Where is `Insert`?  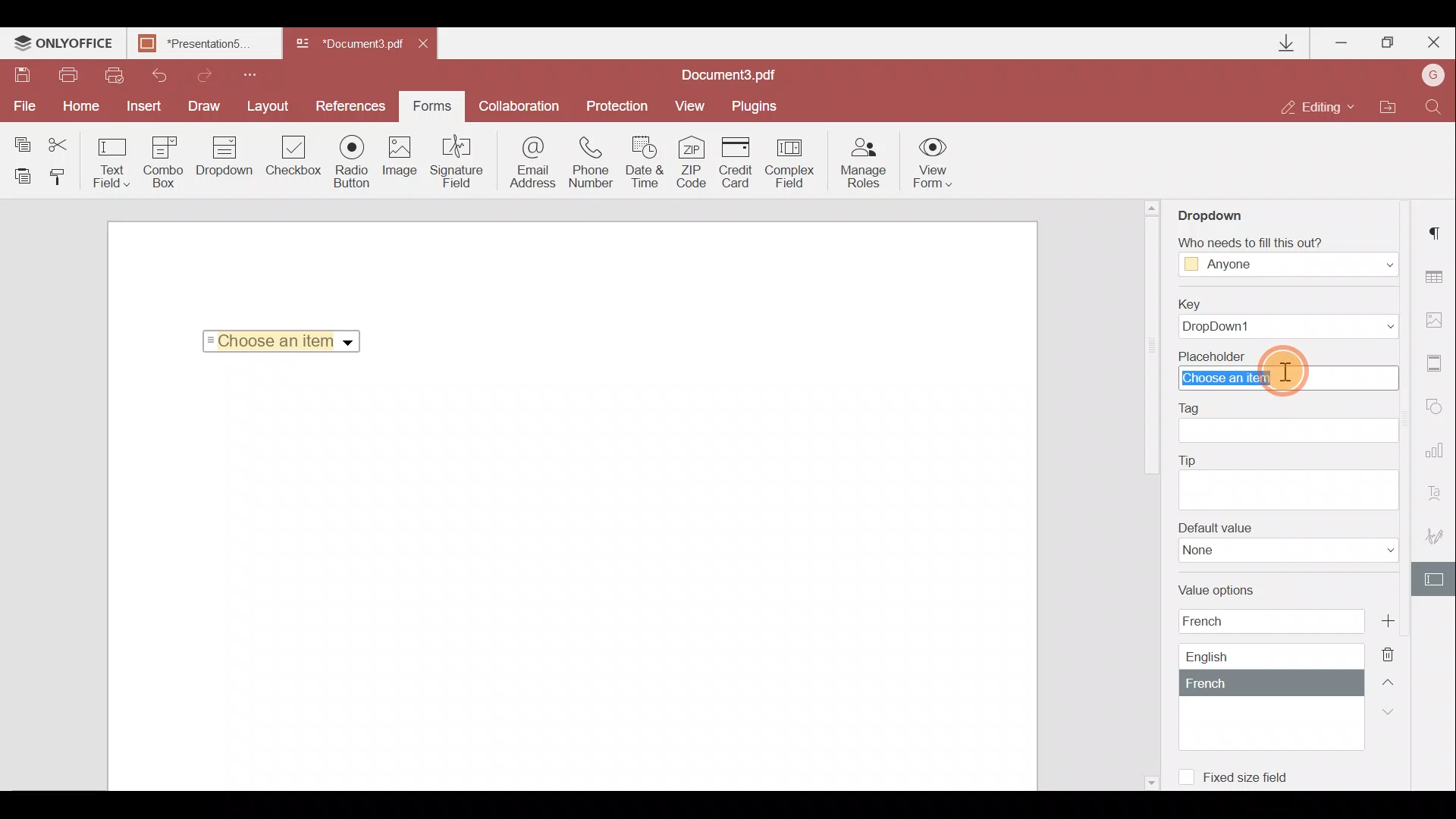
Insert is located at coordinates (140, 103).